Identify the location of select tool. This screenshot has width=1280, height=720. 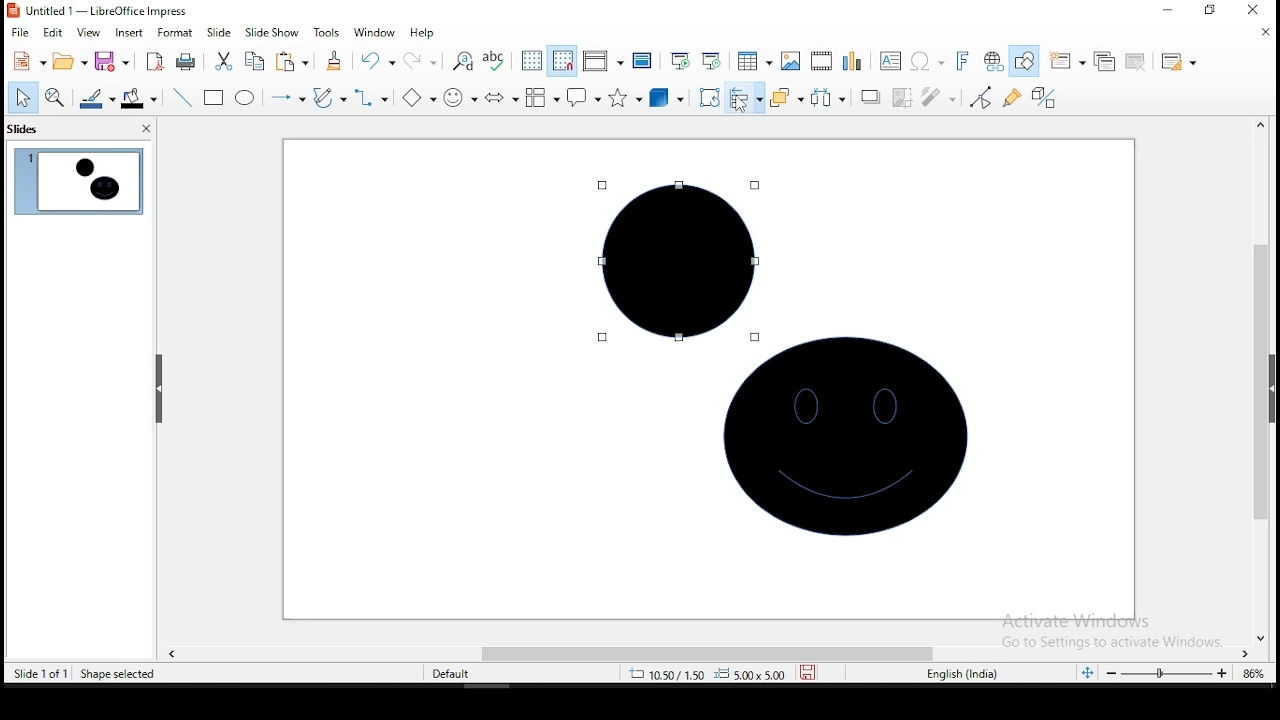
(23, 97).